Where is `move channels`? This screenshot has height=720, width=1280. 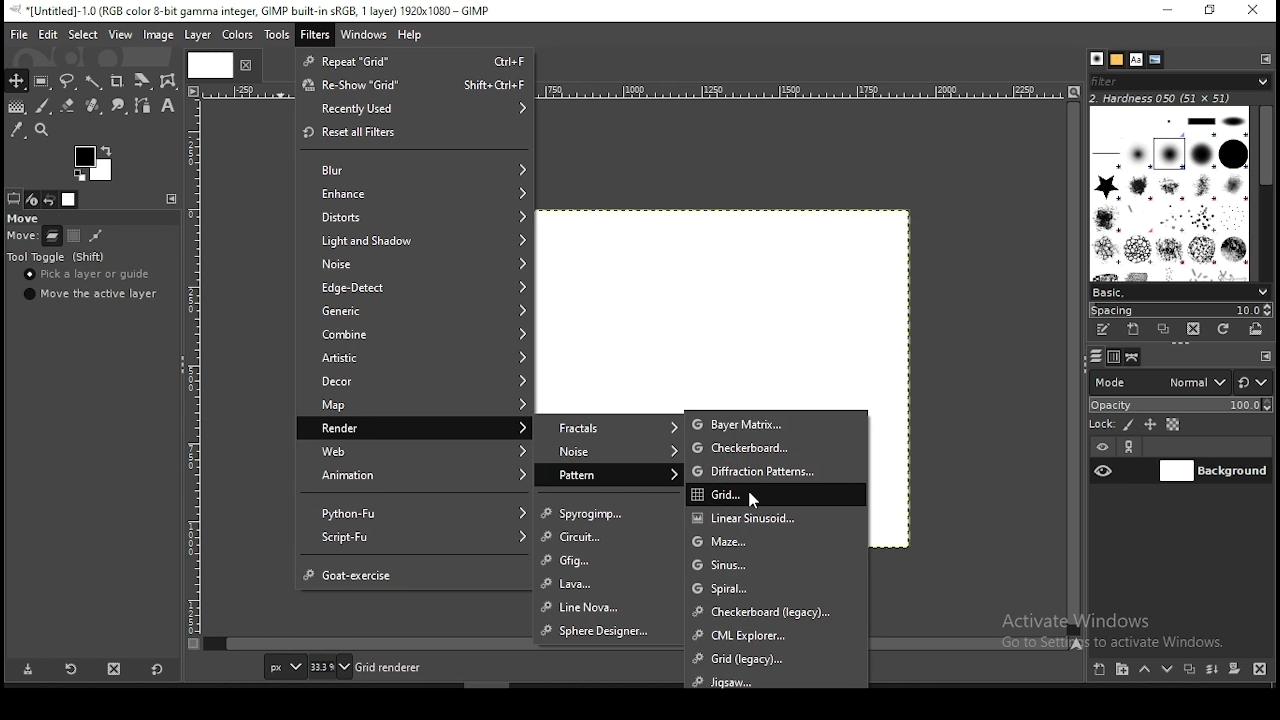 move channels is located at coordinates (75, 235).